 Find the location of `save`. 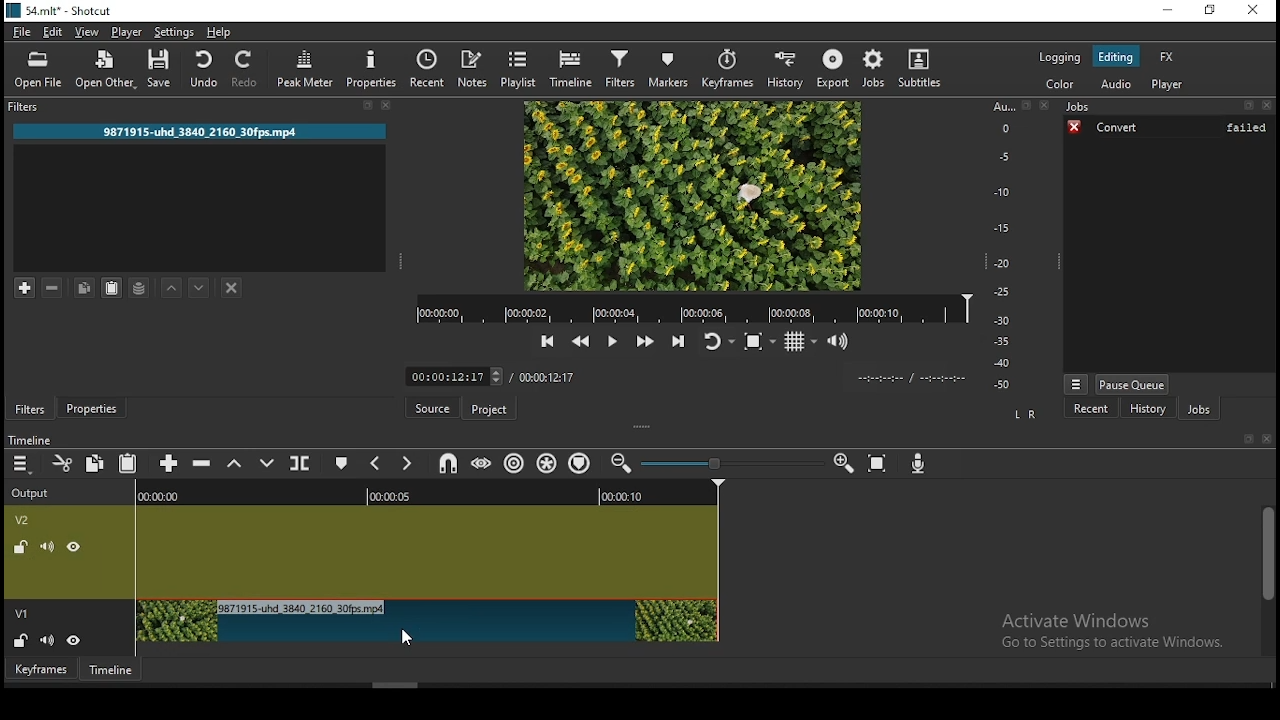

save is located at coordinates (160, 70).